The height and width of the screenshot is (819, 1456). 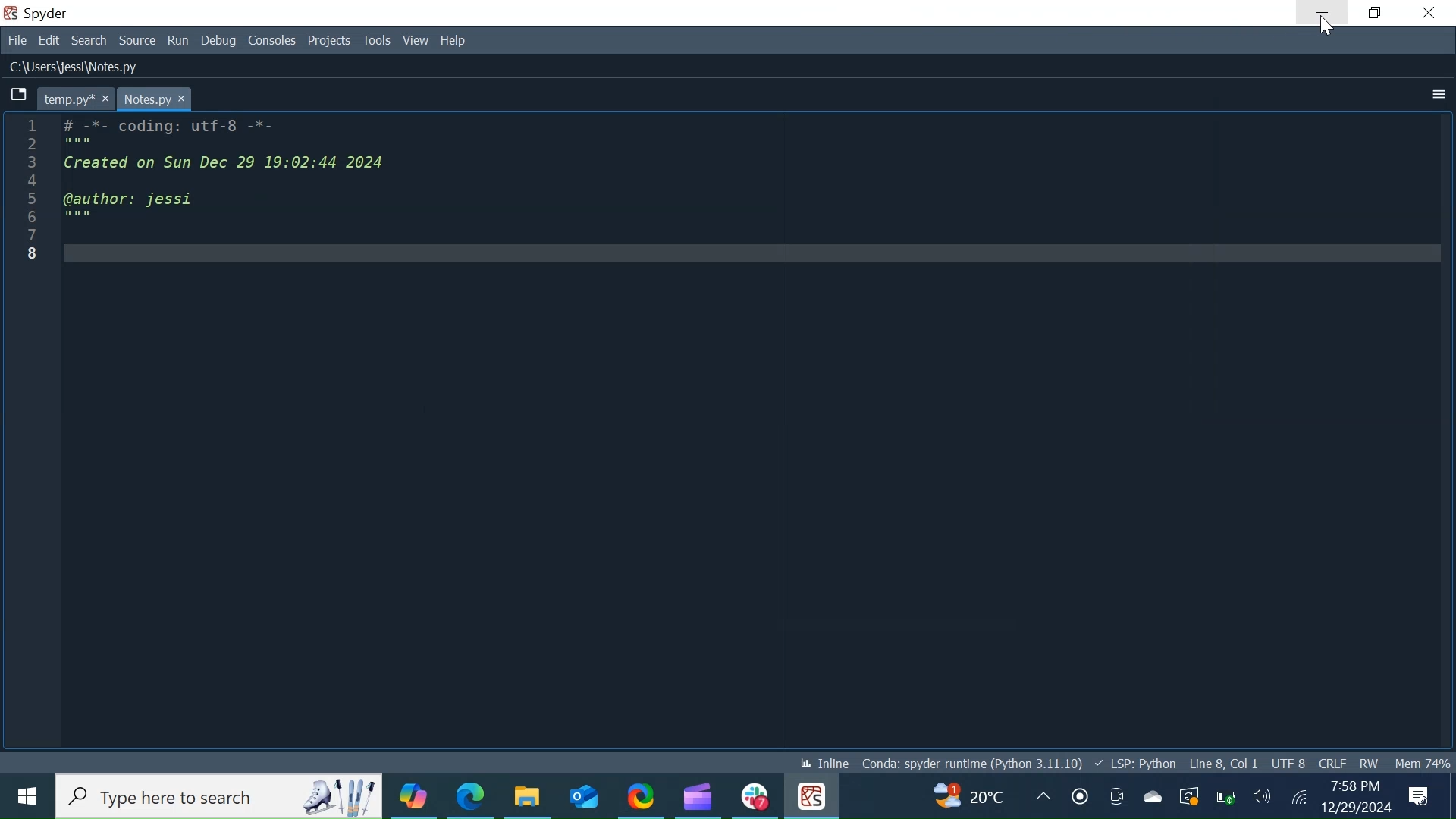 I want to click on Inline, so click(x=821, y=763).